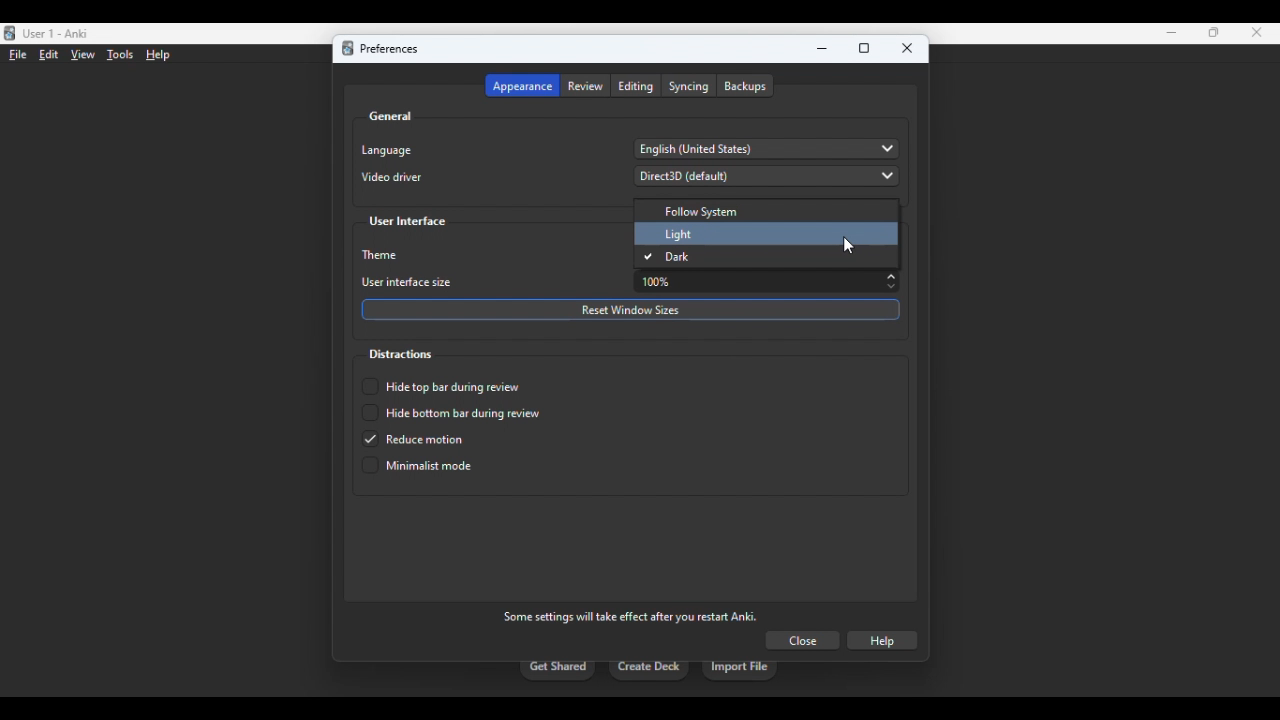  Describe the element at coordinates (390, 116) in the screenshot. I see `general` at that location.